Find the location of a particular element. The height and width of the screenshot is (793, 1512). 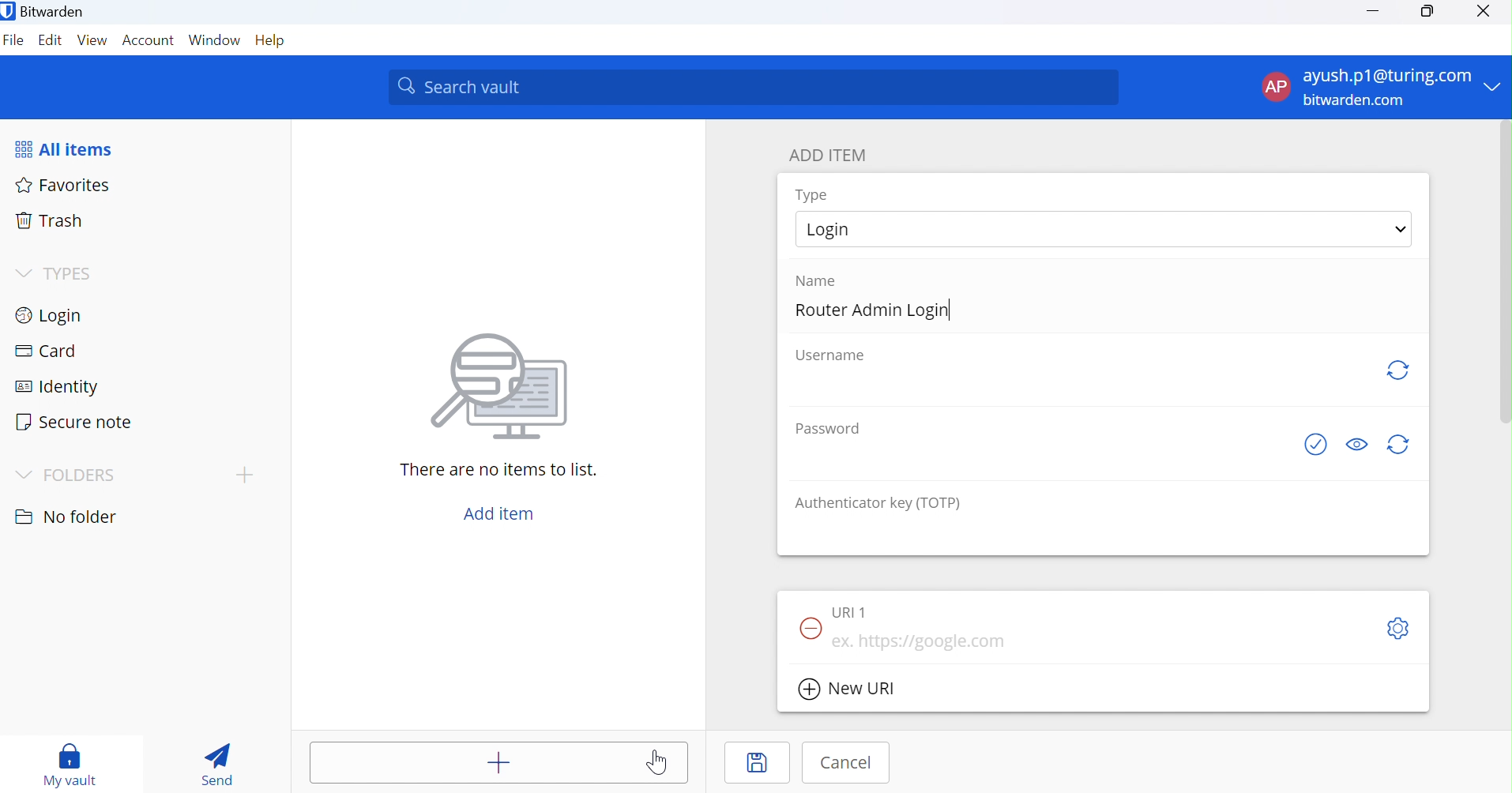

Add item is located at coordinates (498, 513).